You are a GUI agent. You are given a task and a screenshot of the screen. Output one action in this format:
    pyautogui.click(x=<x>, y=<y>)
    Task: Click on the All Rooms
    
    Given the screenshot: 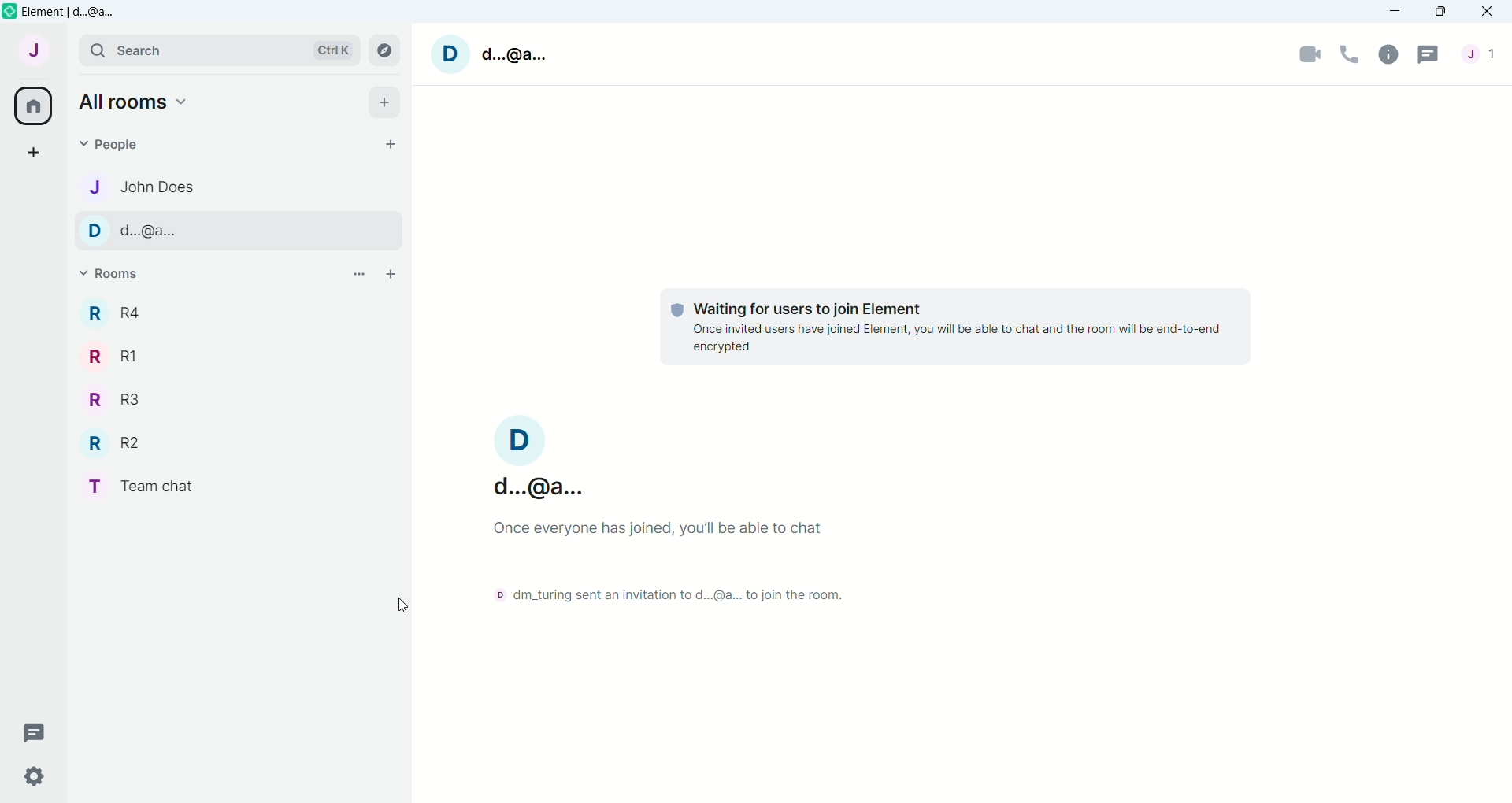 What is the action you would take?
    pyautogui.click(x=34, y=106)
    